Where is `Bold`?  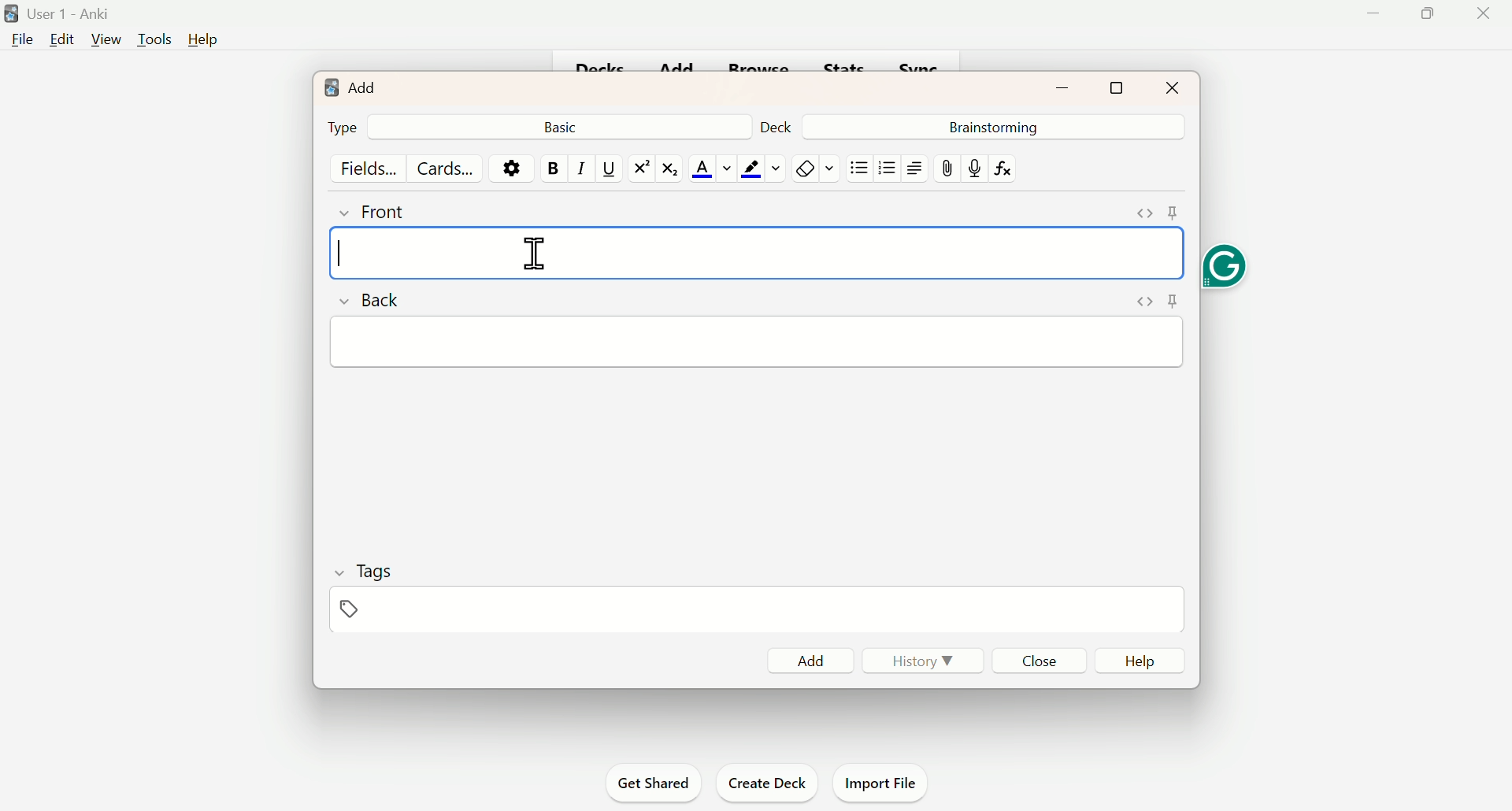
Bold is located at coordinates (552, 168).